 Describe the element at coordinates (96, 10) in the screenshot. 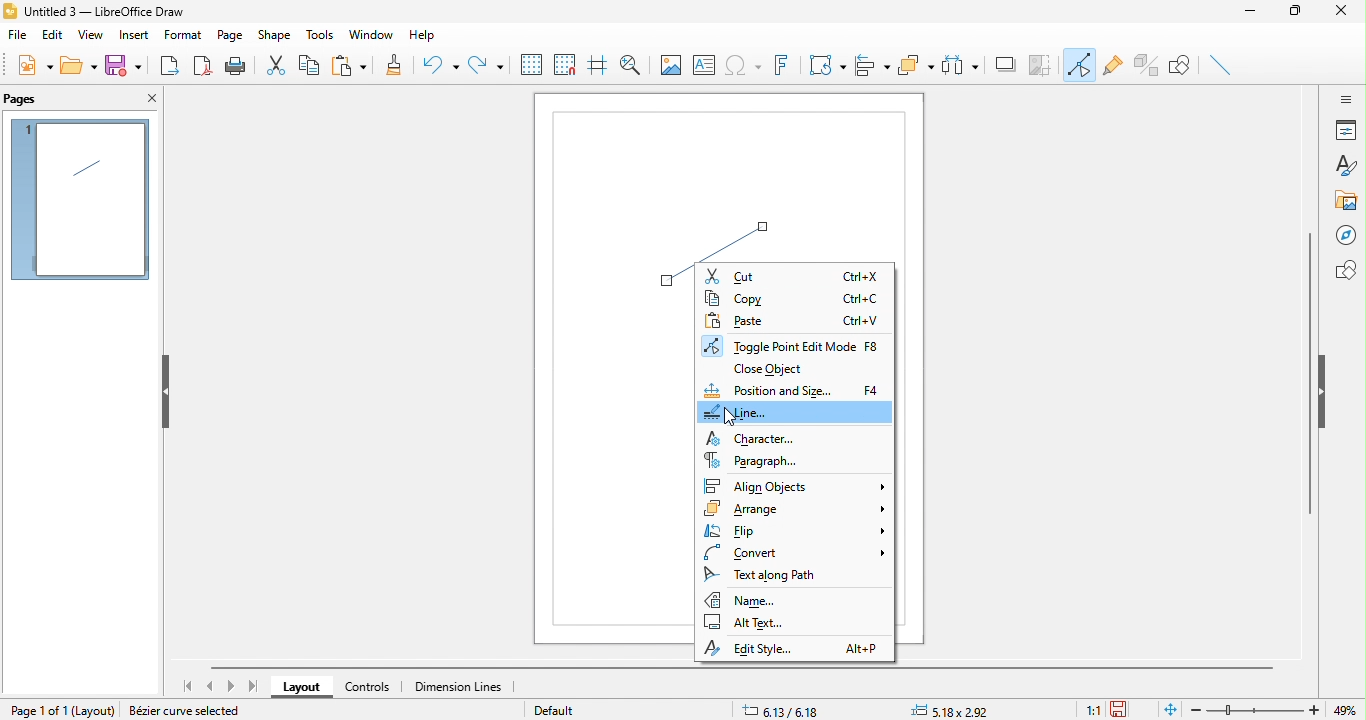

I see `Untitled 3 - LibreOffice Draw` at that location.